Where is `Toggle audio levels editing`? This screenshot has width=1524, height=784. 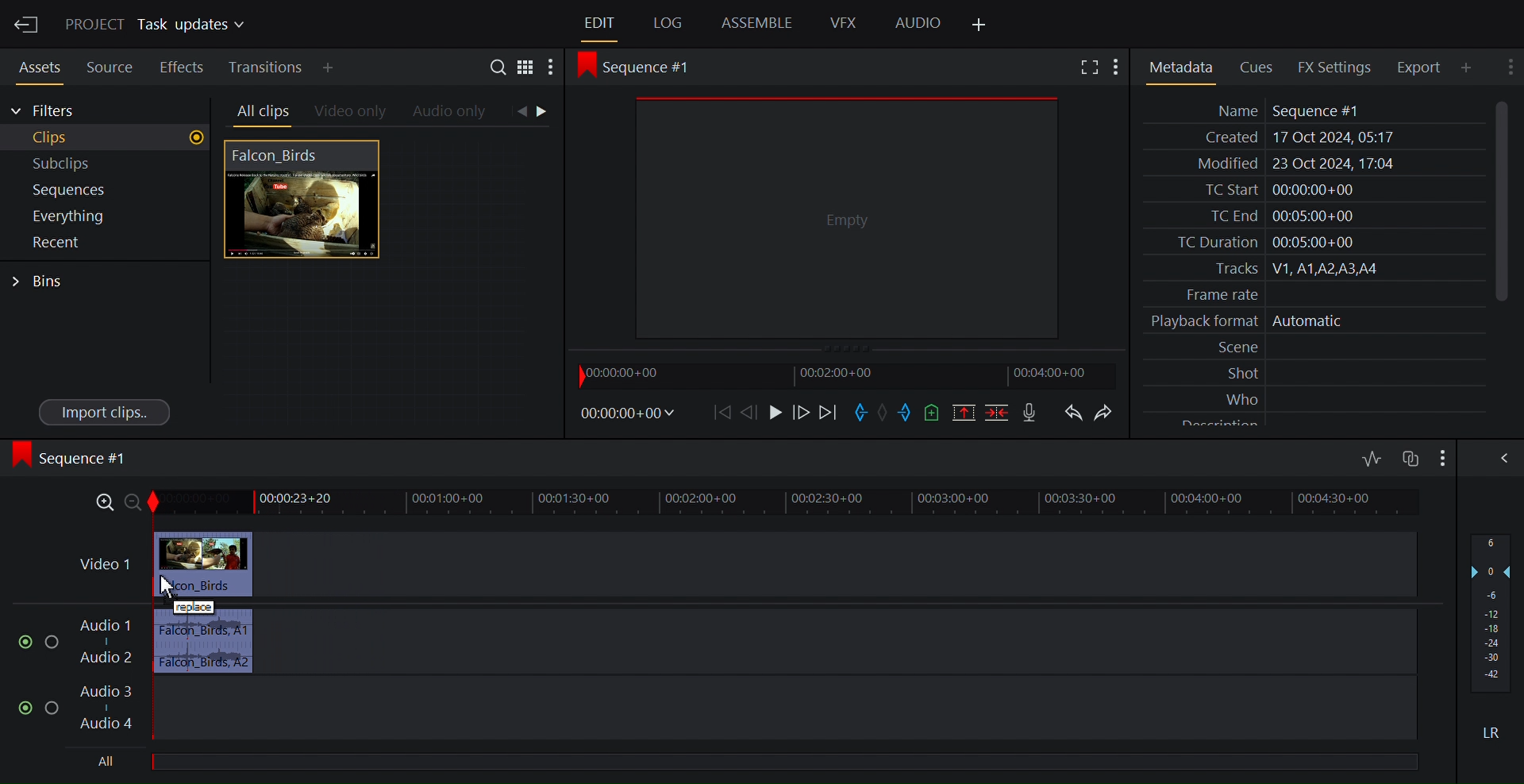 Toggle audio levels editing is located at coordinates (1372, 456).